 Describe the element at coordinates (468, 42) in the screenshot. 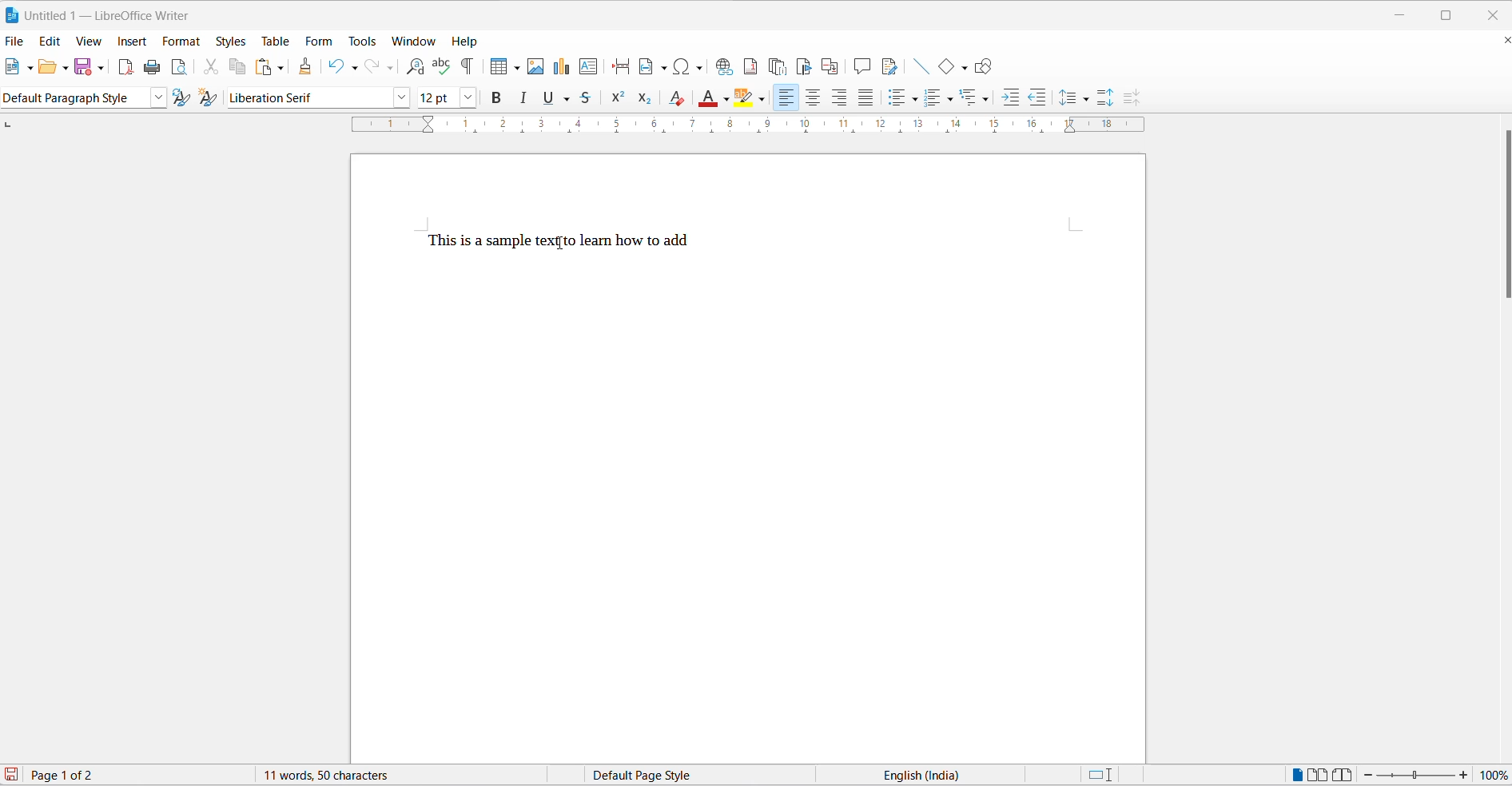

I see `help` at that location.